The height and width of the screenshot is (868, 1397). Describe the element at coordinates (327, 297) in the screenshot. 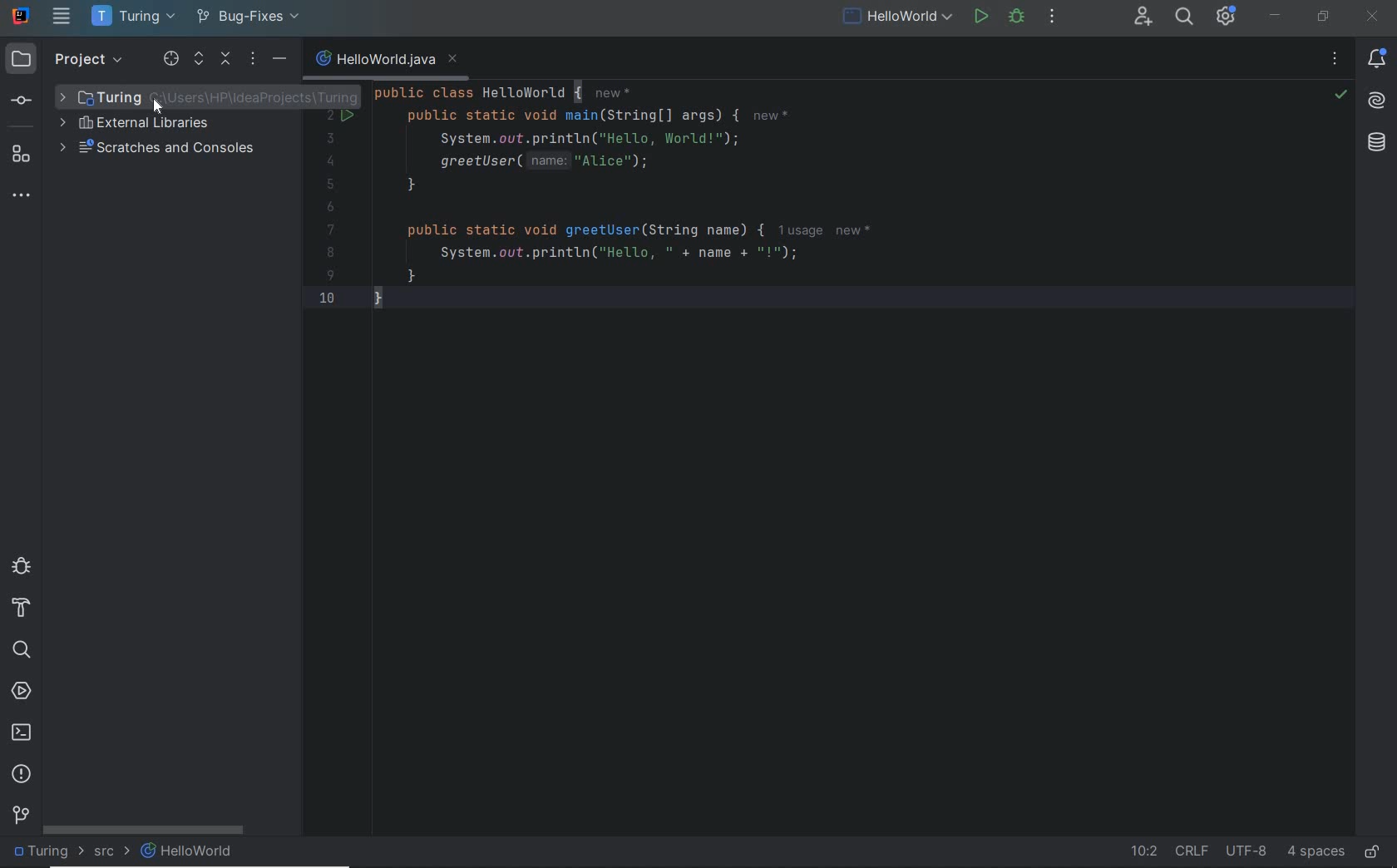

I see `10` at that location.